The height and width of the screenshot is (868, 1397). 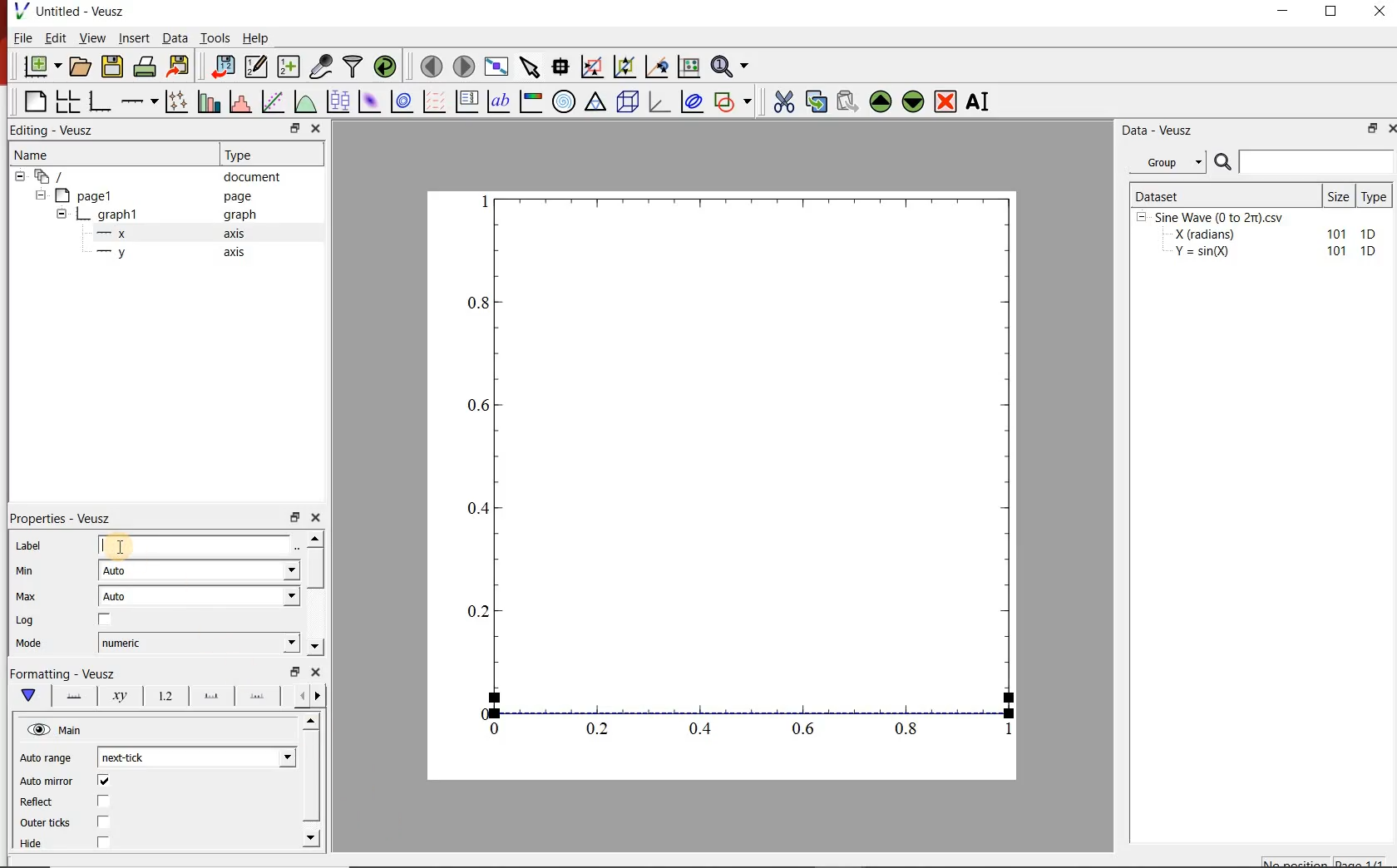 I want to click on move up, so click(x=881, y=101).